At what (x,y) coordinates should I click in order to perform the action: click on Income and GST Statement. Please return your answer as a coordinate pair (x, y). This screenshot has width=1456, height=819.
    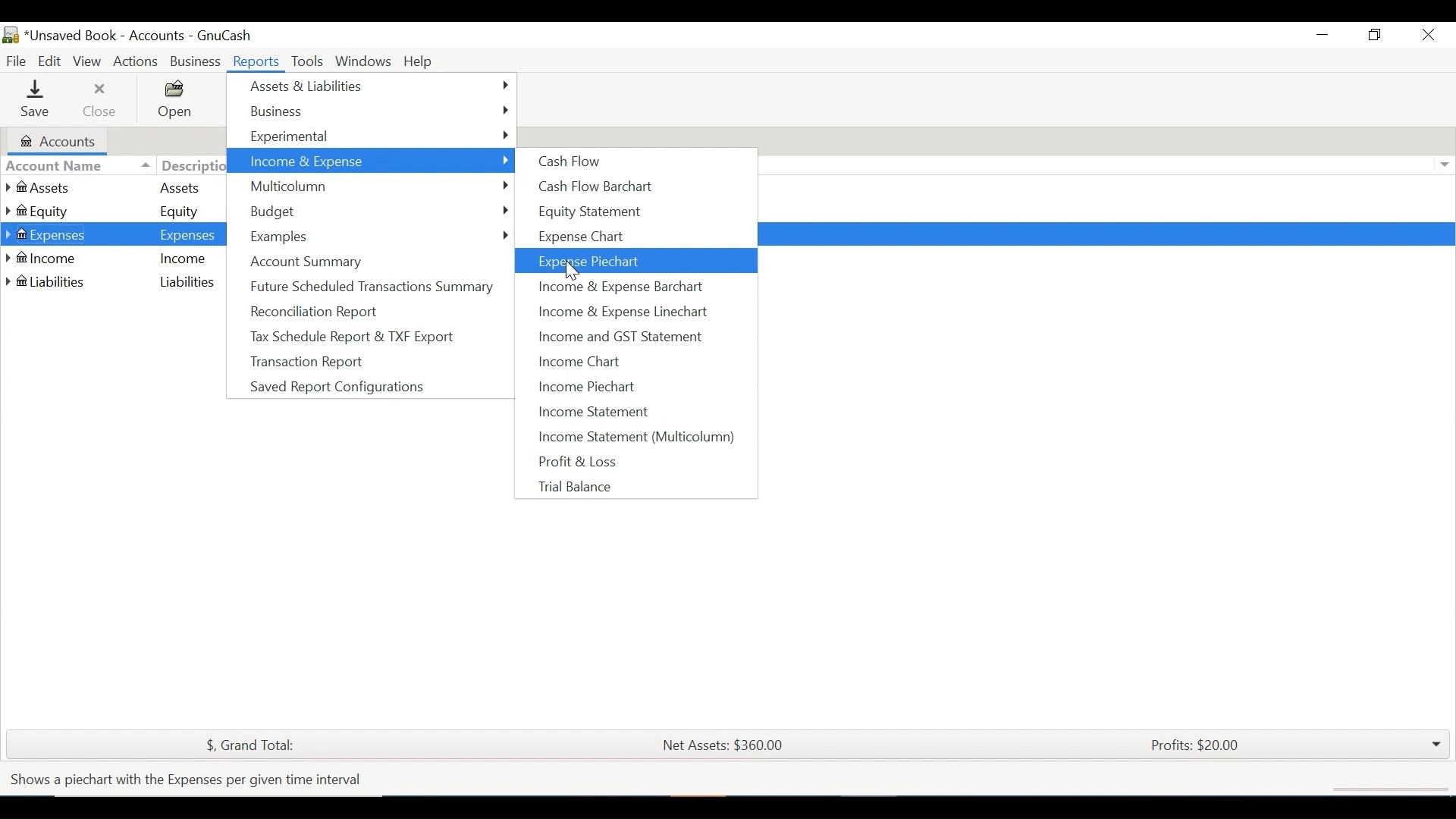
    Looking at the image, I should click on (617, 337).